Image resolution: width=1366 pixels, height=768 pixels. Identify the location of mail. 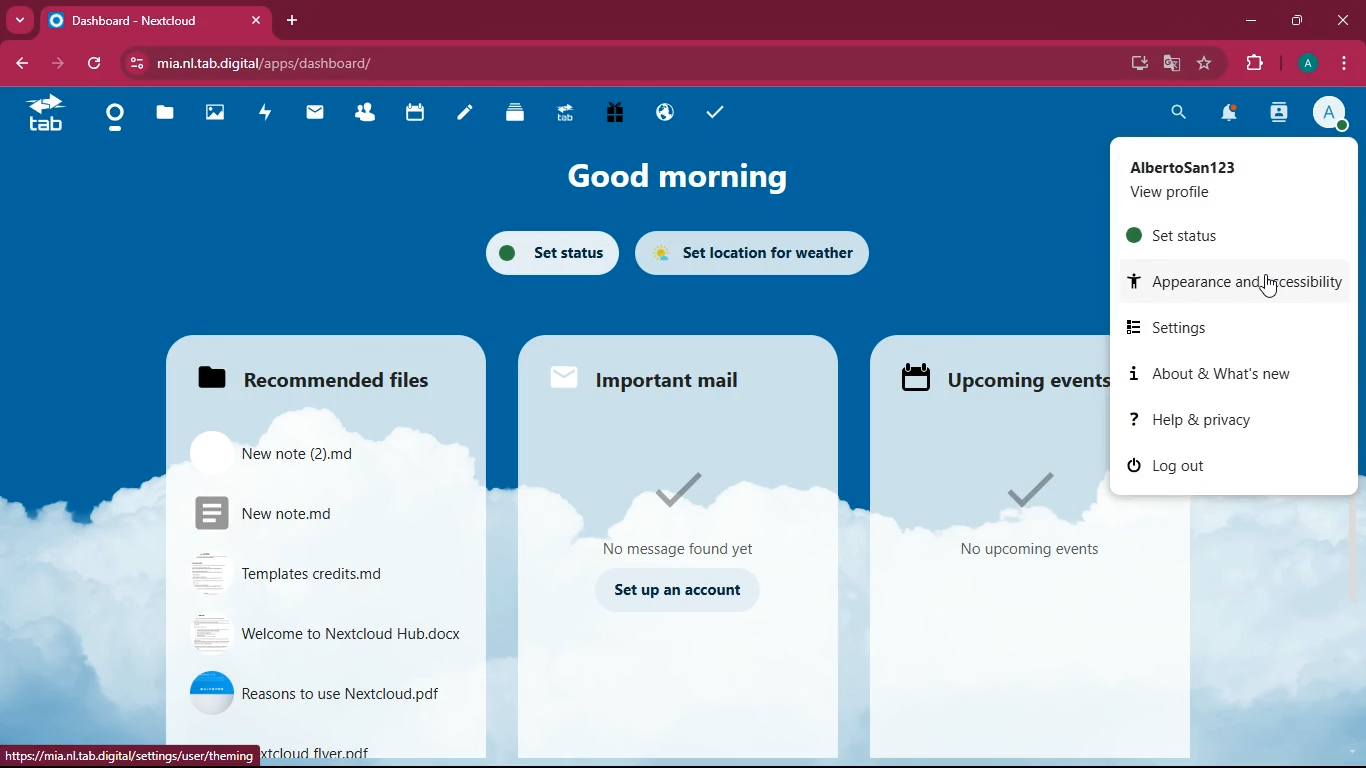
(316, 112).